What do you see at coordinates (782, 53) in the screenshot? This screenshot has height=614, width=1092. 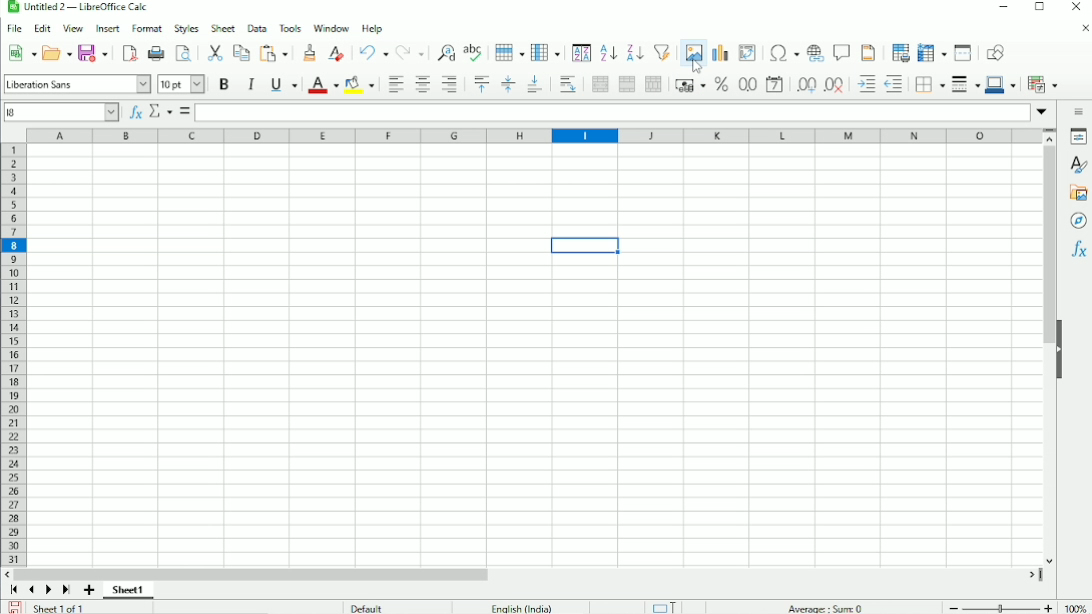 I see `Insert special characters` at bounding box center [782, 53].